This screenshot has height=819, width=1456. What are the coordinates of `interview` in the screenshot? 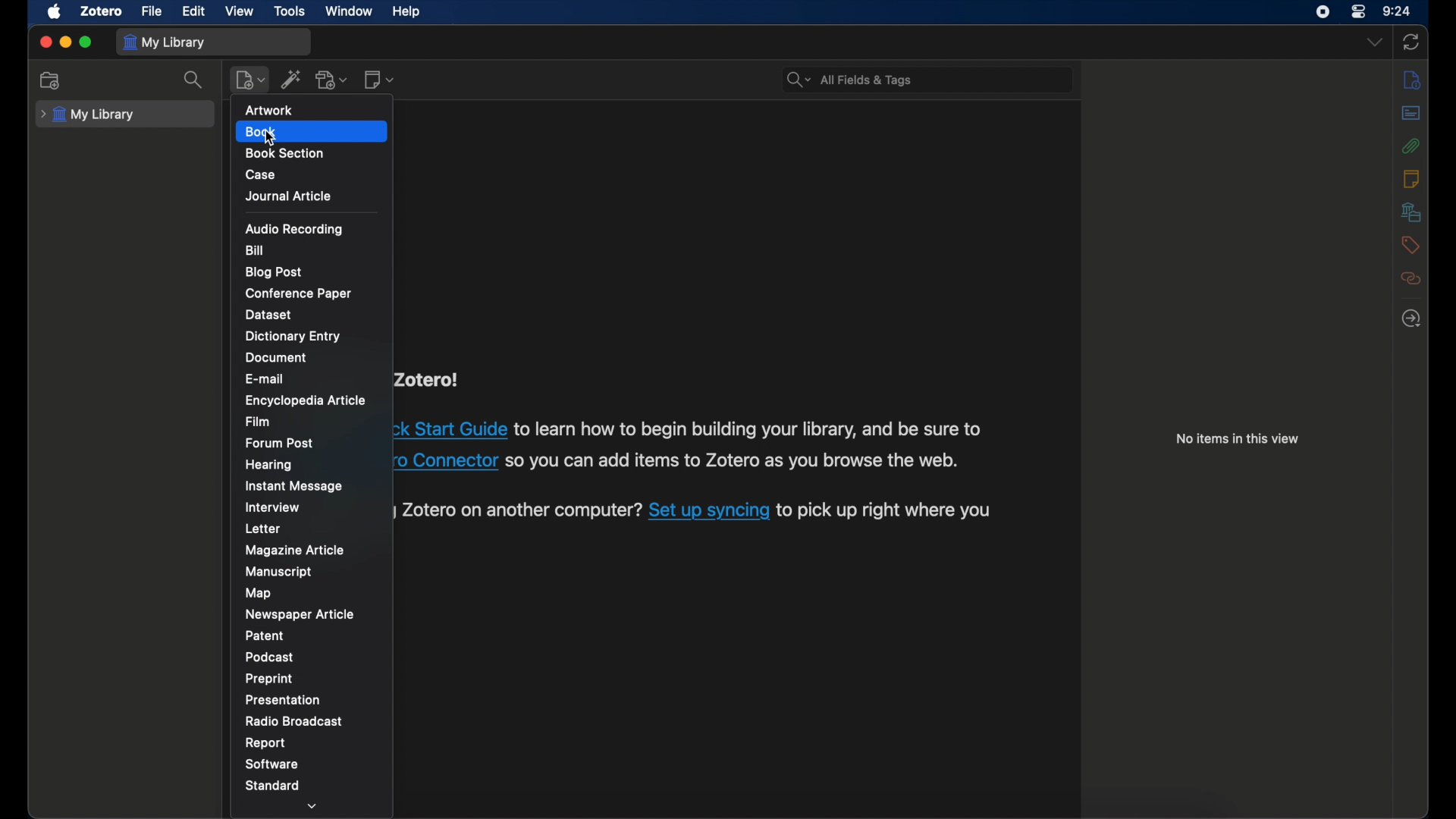 It's located at (272, 506).